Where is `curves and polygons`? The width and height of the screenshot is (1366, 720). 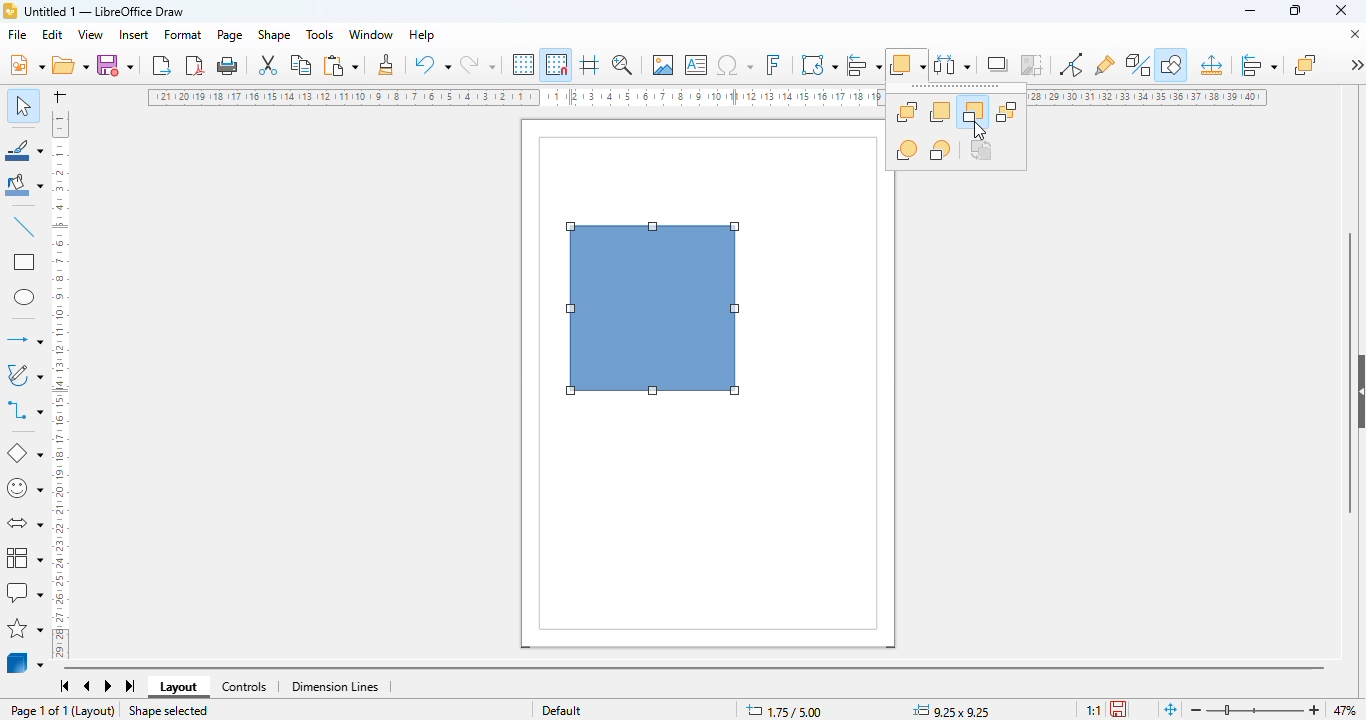 curves and polygons is located at coordinates (23, 375).